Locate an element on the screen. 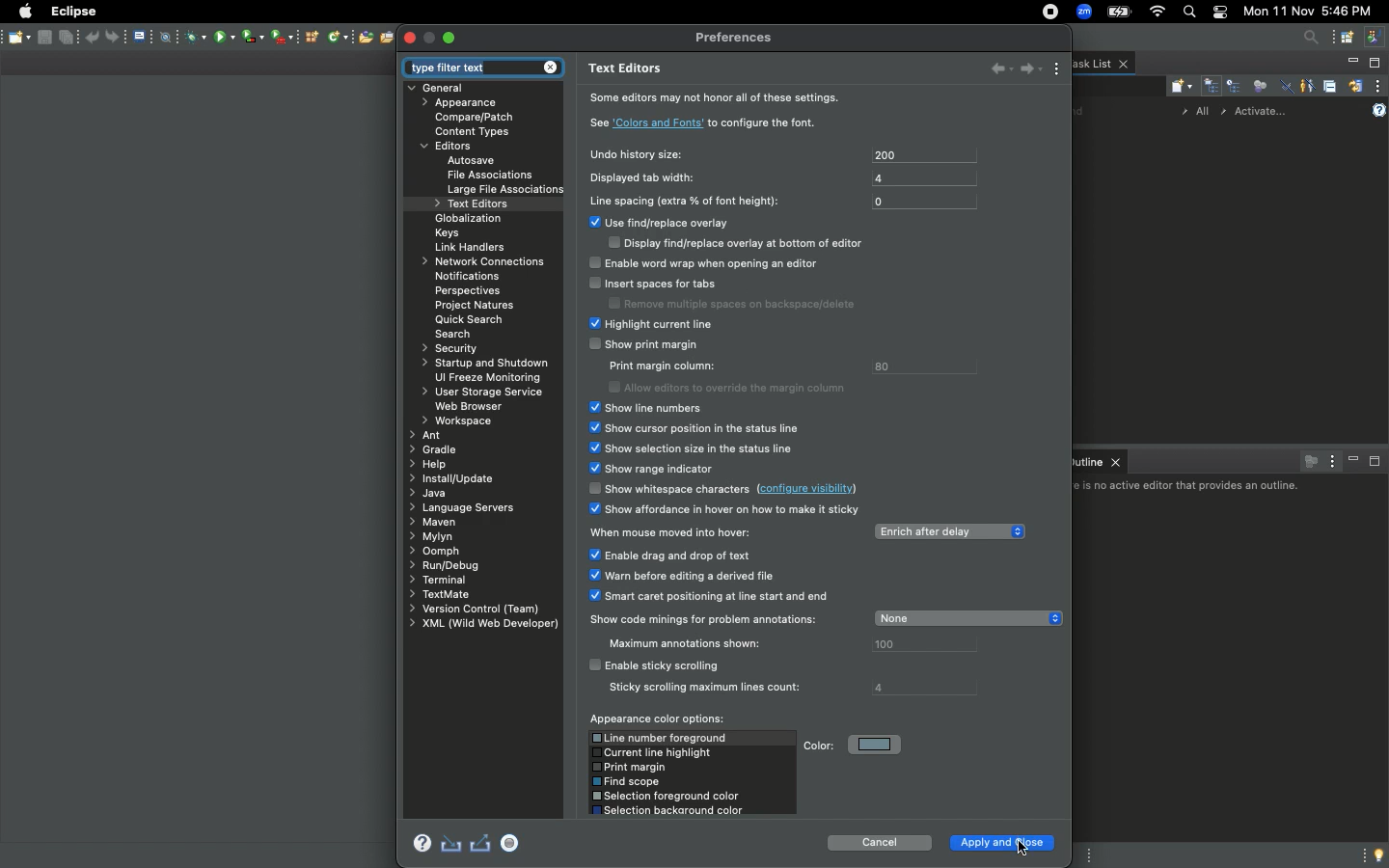 Image resolution: width=1389 pixels, height=868 pixels. Preferences is located at coordinates (738, 40).